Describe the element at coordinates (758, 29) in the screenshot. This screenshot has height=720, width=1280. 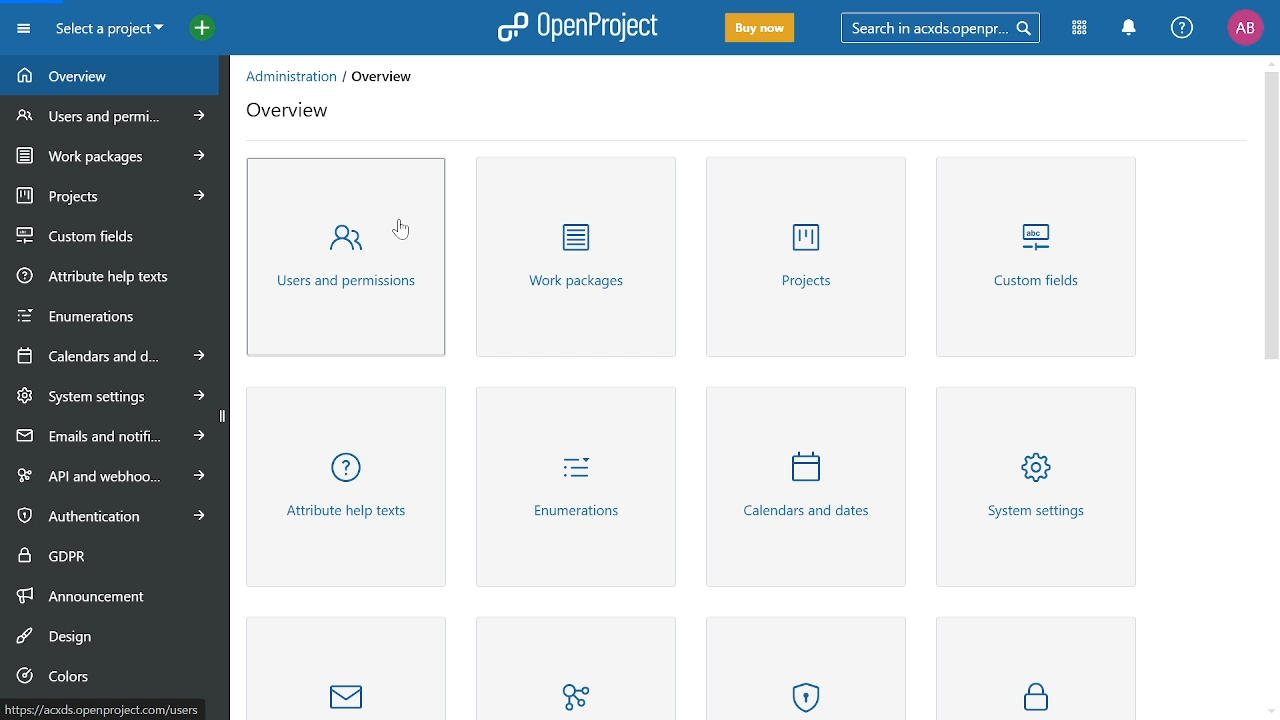
I see `Buy now` at that location.